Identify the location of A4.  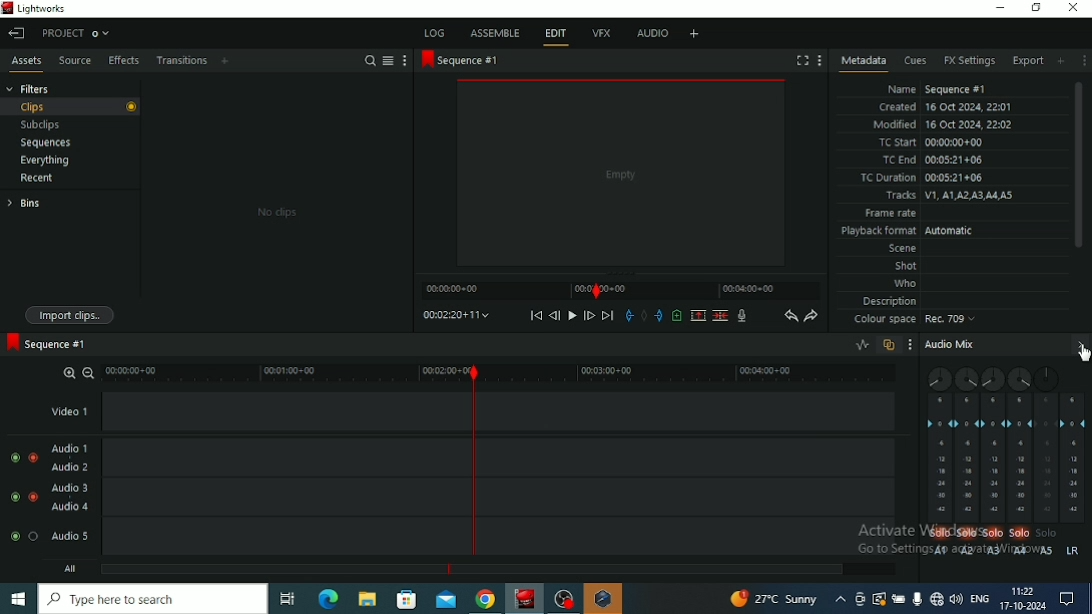
(1020, 551).